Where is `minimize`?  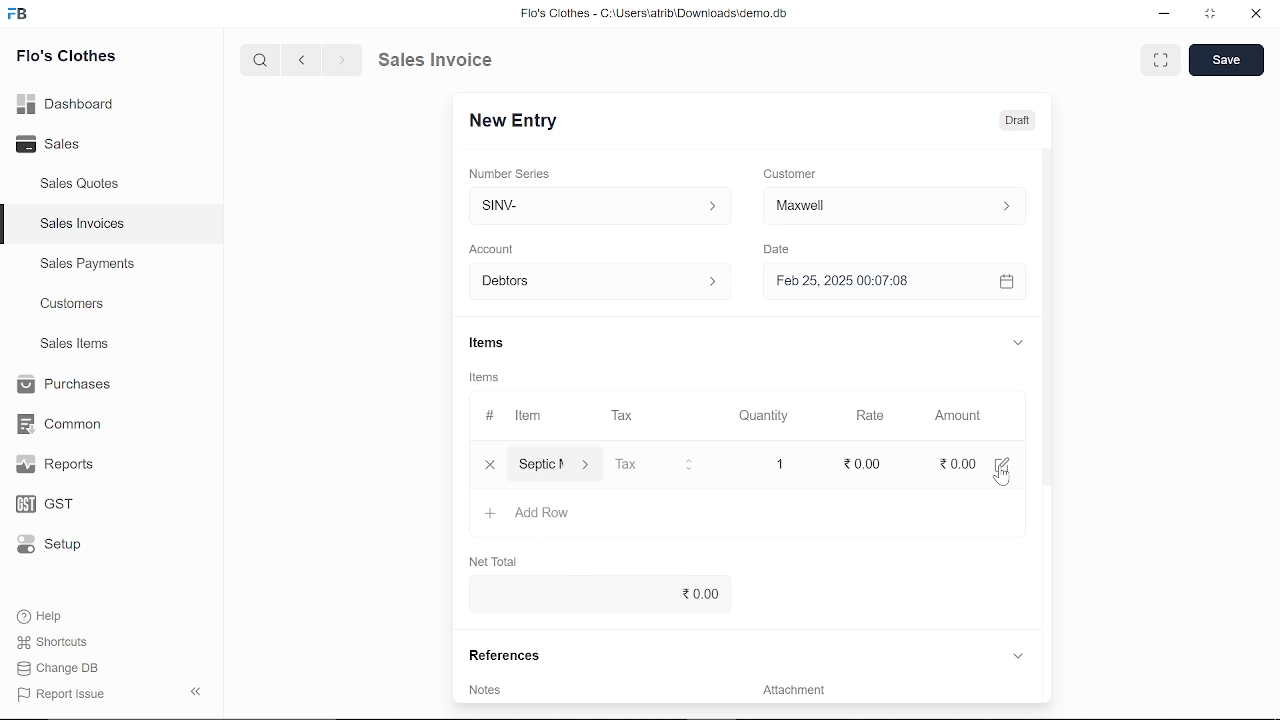
minimize is located at coordinates (1160, 14).